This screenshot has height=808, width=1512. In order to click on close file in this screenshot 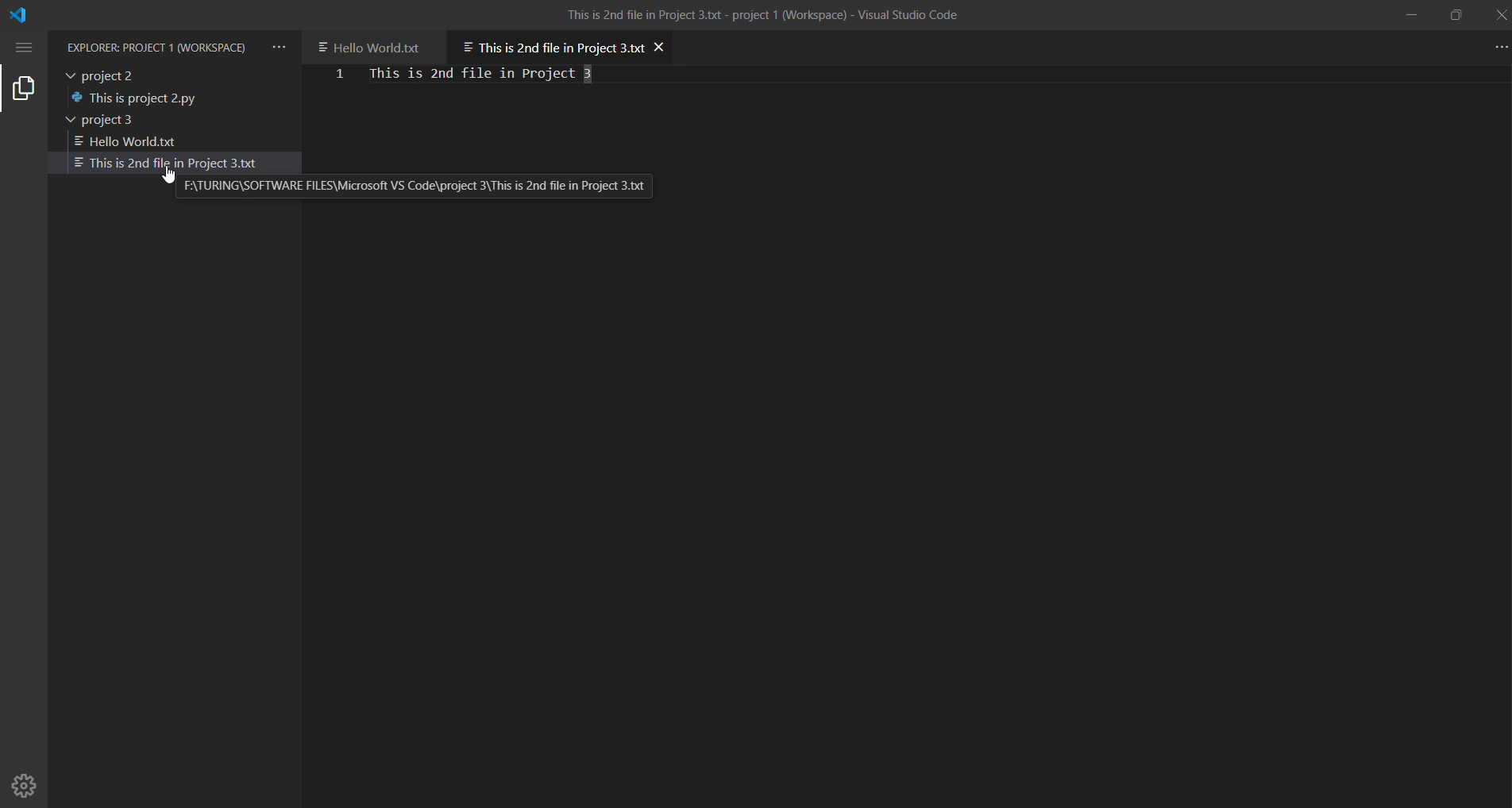, I will do `click(661, 46)`.